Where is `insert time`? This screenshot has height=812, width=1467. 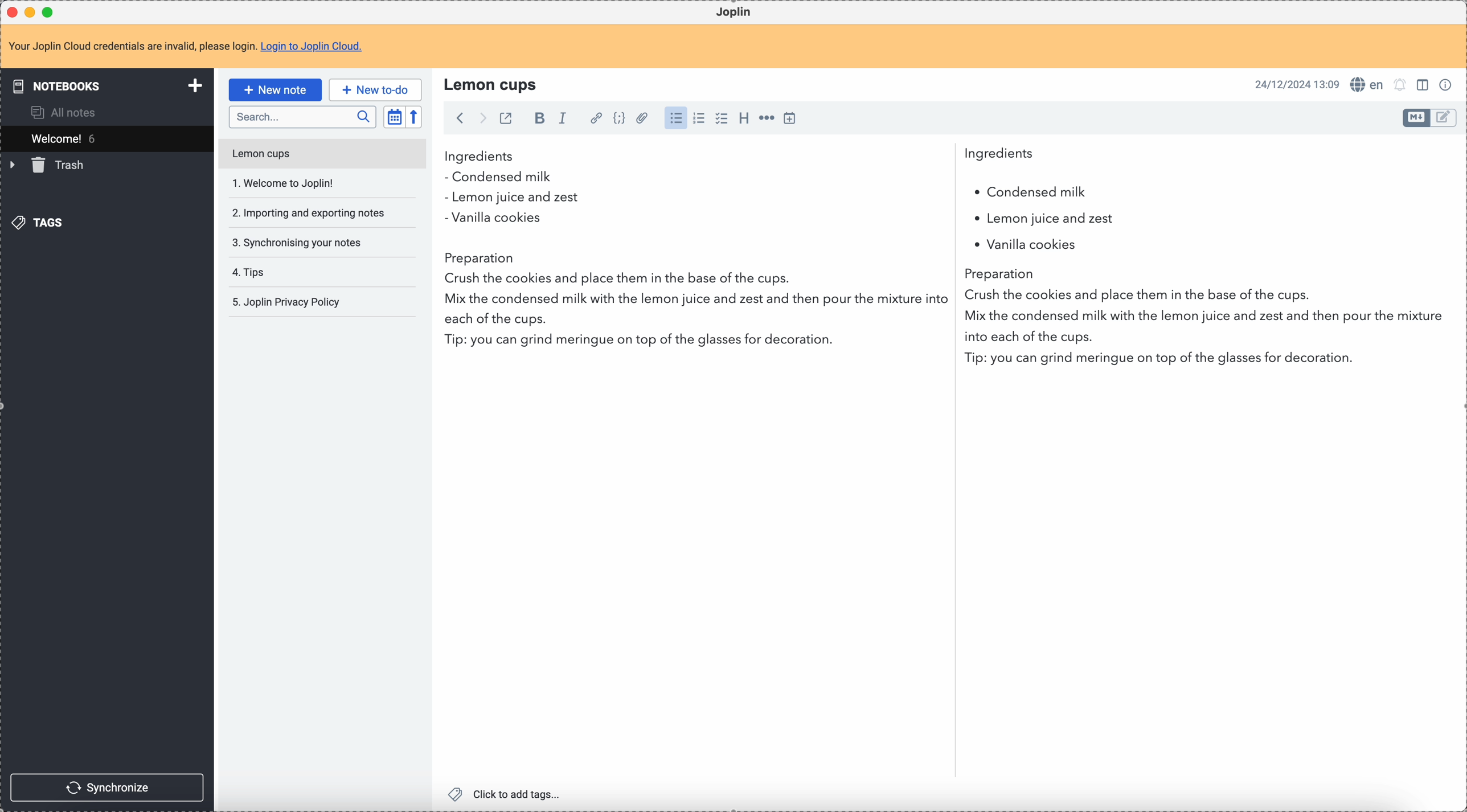
insert time is located at coordinates (789, 118).